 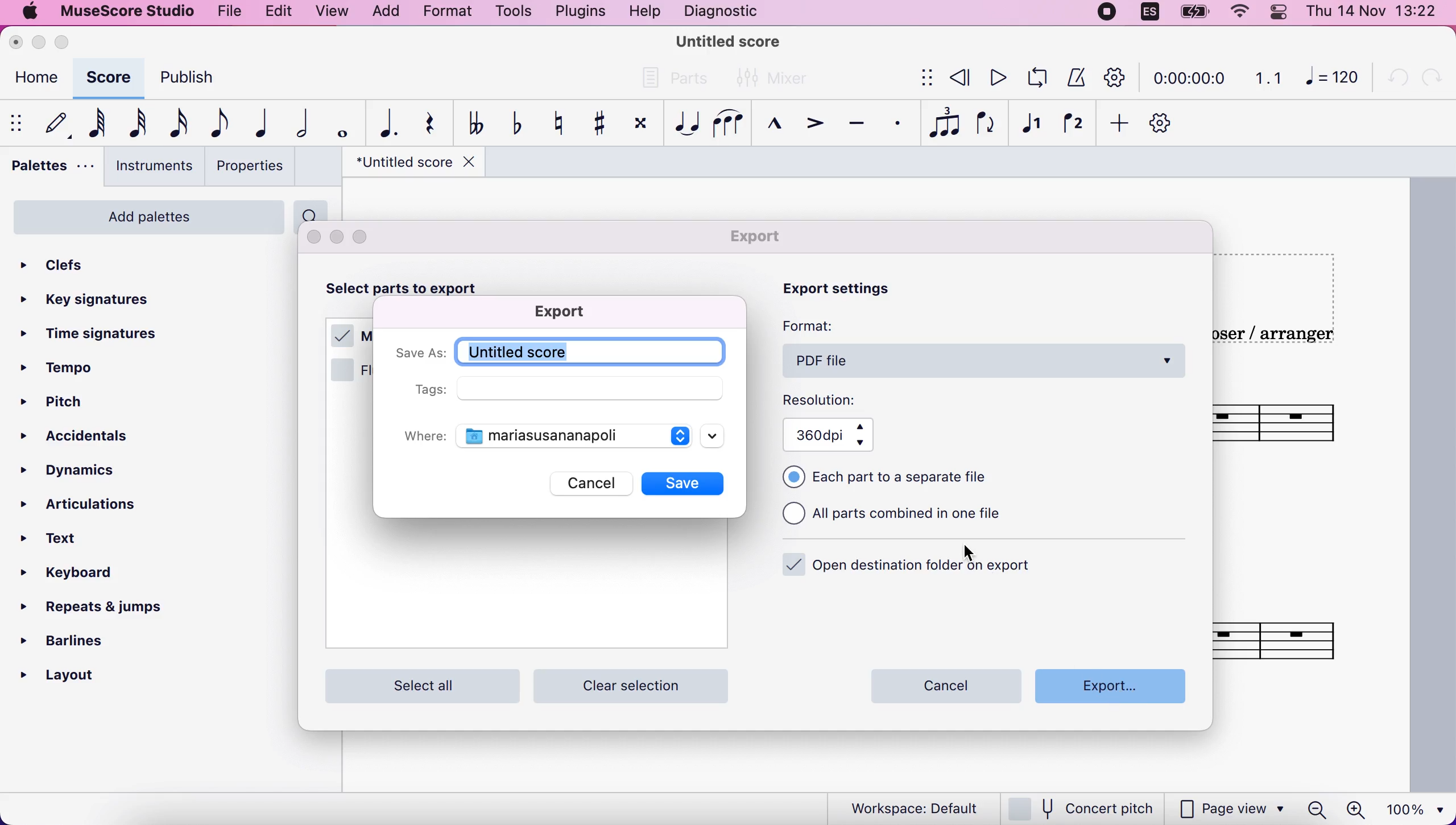 What do you see at coordinates (575, 13) in the screenshot?
I see `plugins` at bounding box center [575, 13].